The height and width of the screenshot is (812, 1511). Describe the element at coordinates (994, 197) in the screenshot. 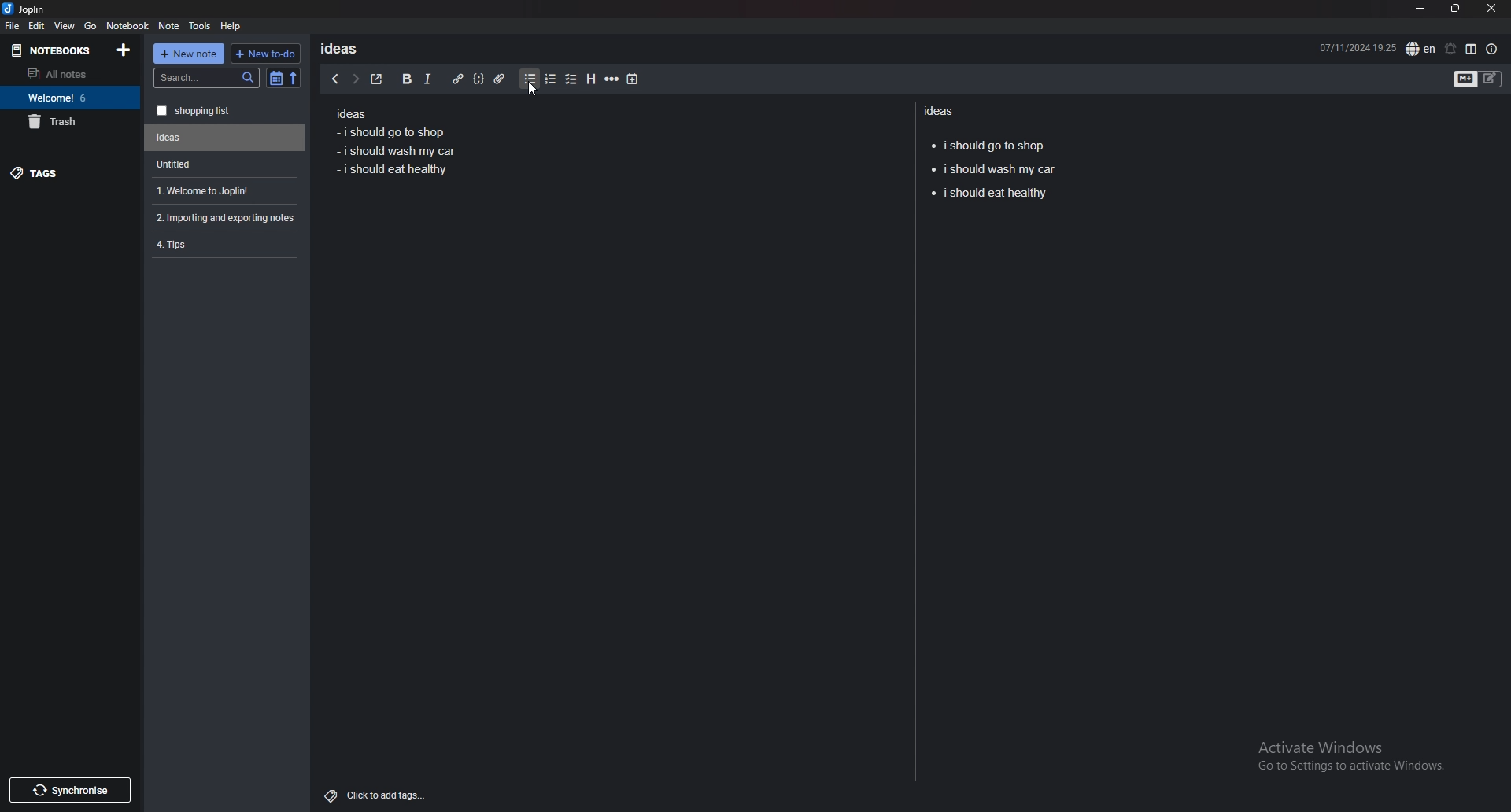

I see `i should eat healthy` at that location.